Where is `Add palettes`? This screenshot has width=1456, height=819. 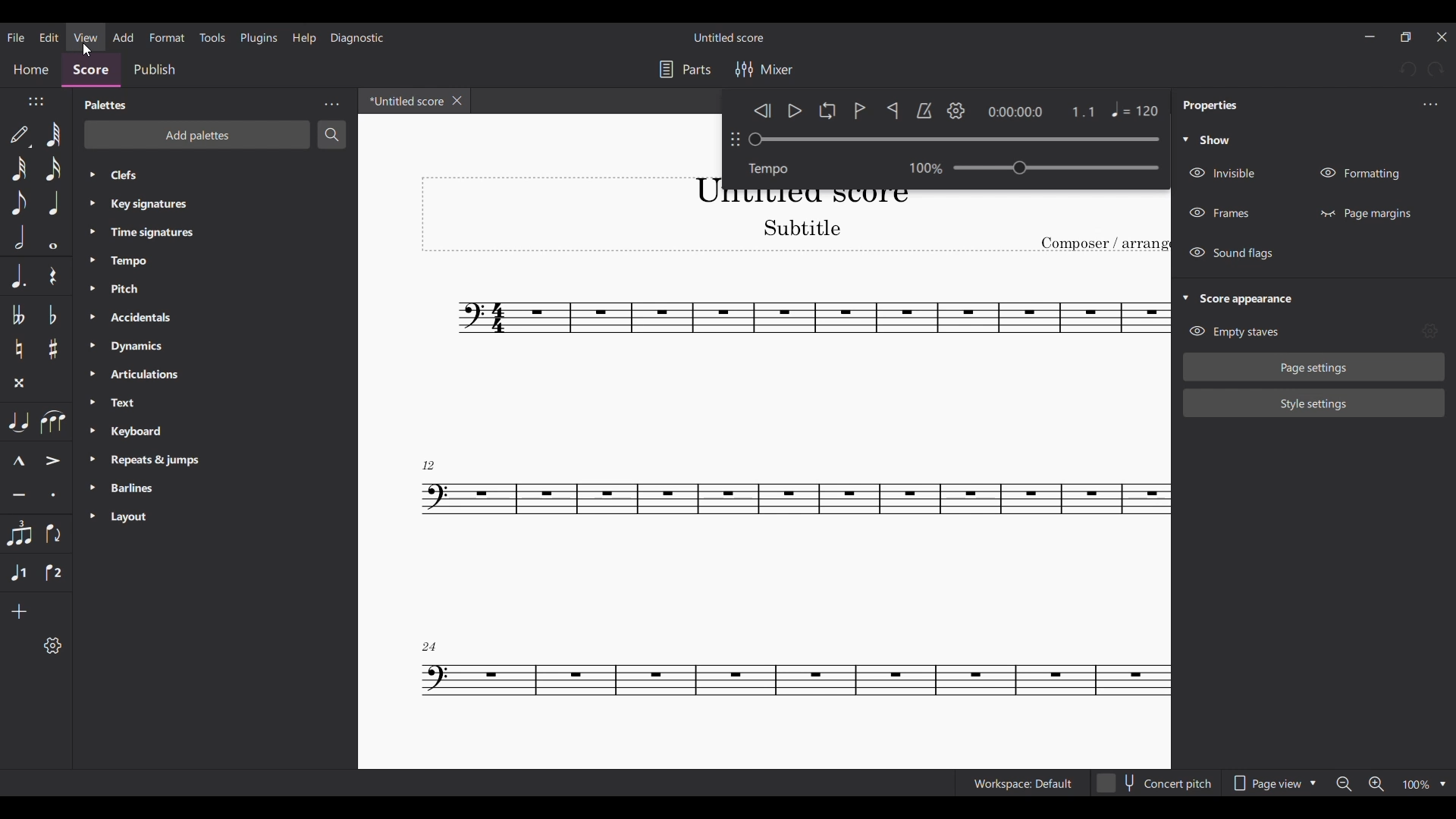 Add palettes is located at coordinates (197, 135).